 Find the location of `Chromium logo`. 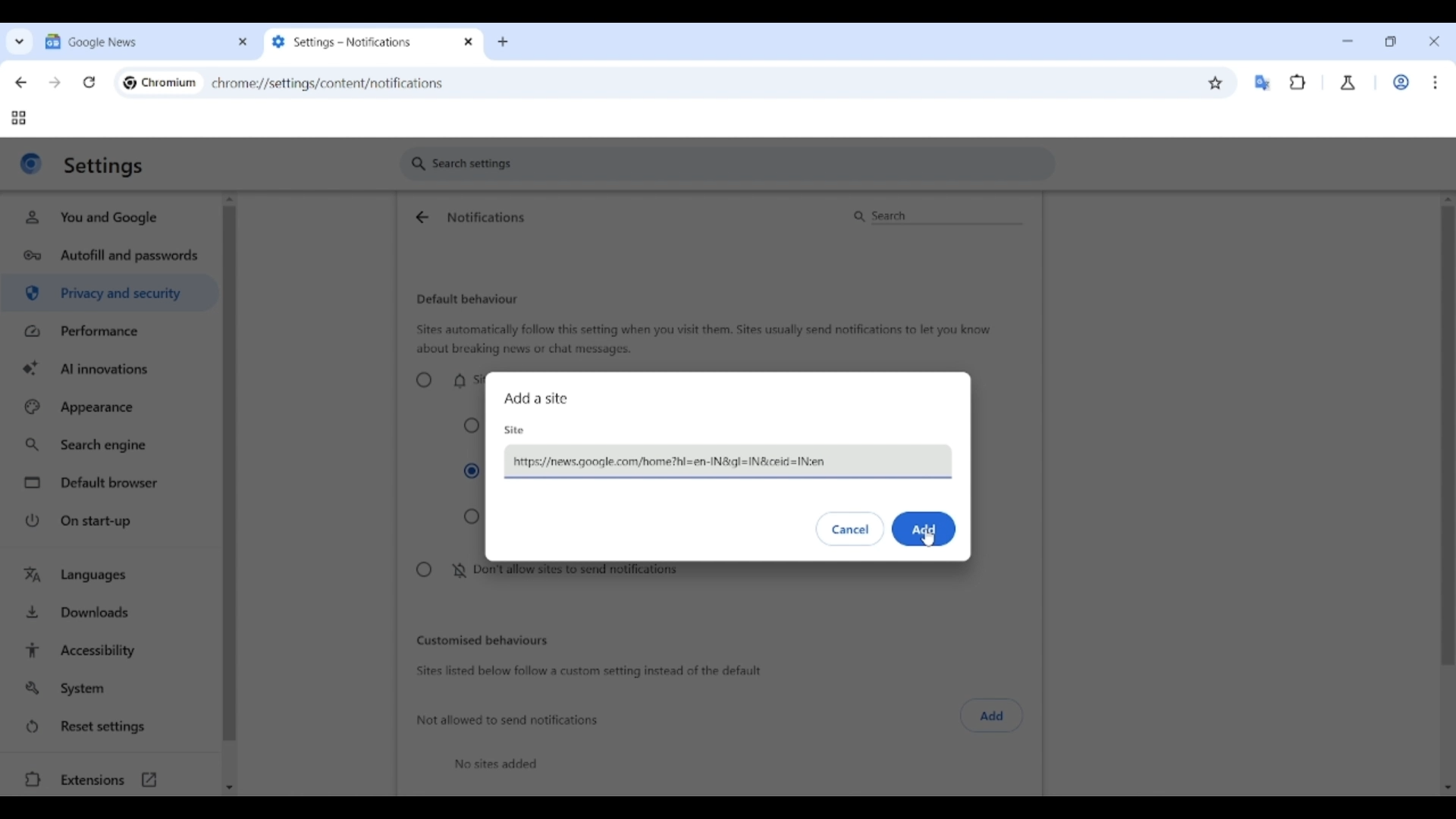

Chromium logo is located at coordinates (130, 83).